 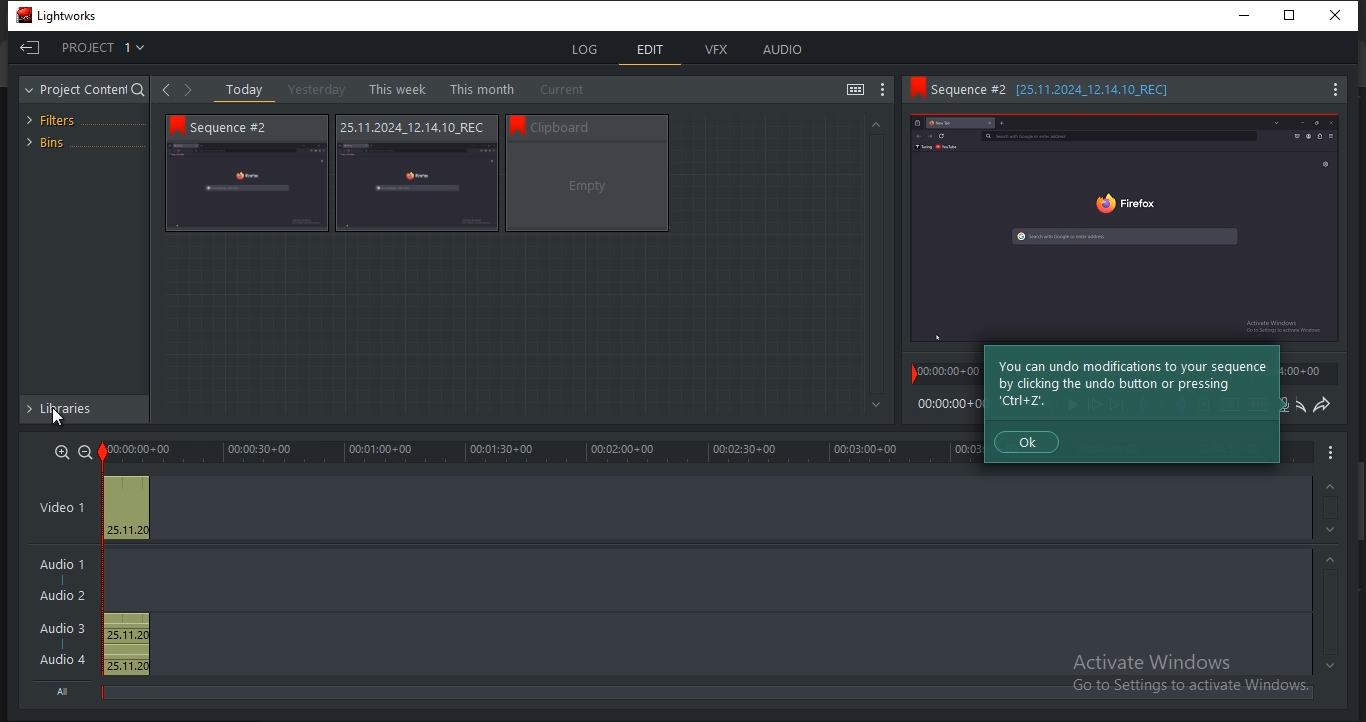 I want to click on show settings menu, so click(x=883, y=90).